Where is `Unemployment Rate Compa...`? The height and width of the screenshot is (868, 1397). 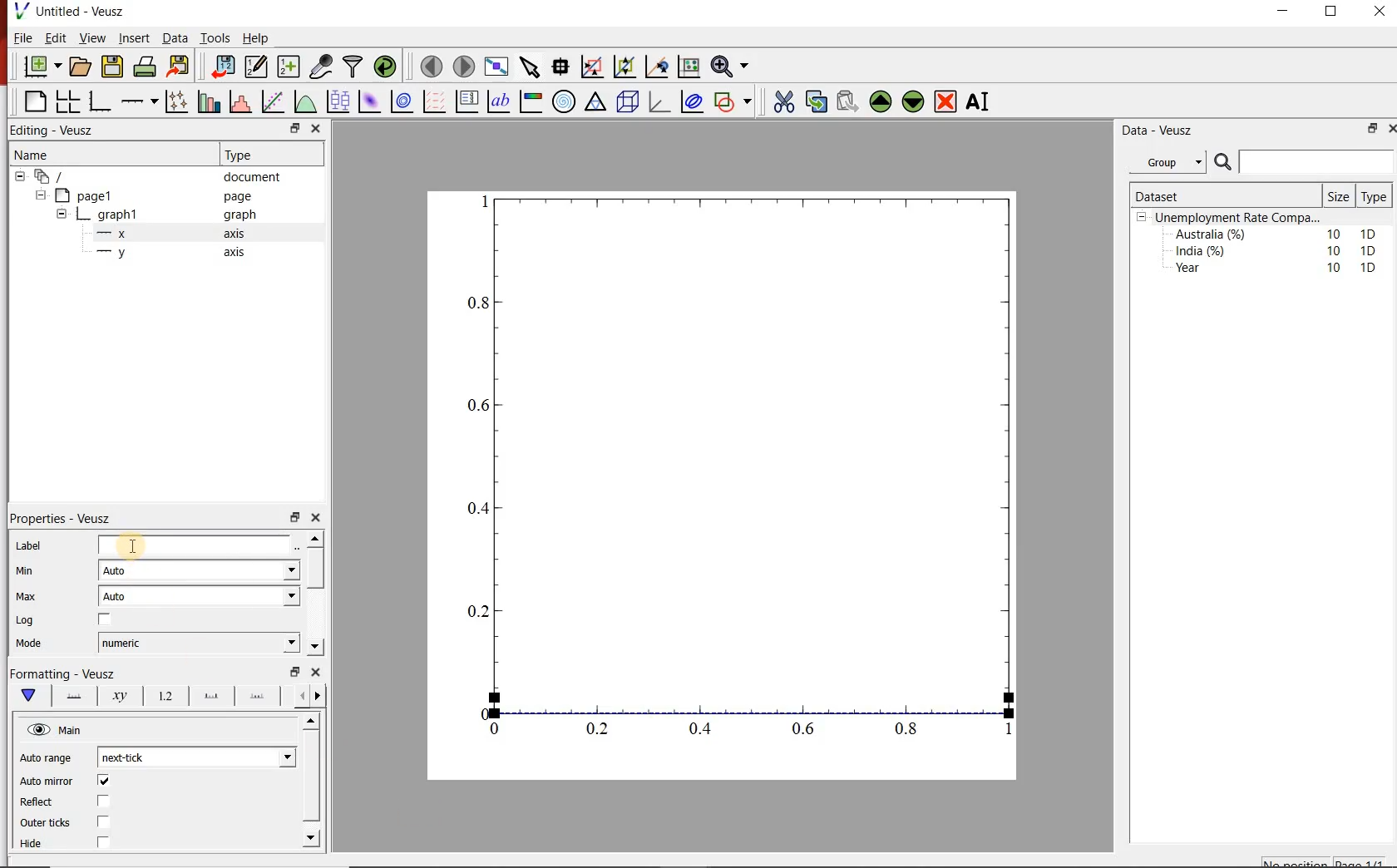 Unemployment Rate Compa... is located at coordinates (1239, 218).